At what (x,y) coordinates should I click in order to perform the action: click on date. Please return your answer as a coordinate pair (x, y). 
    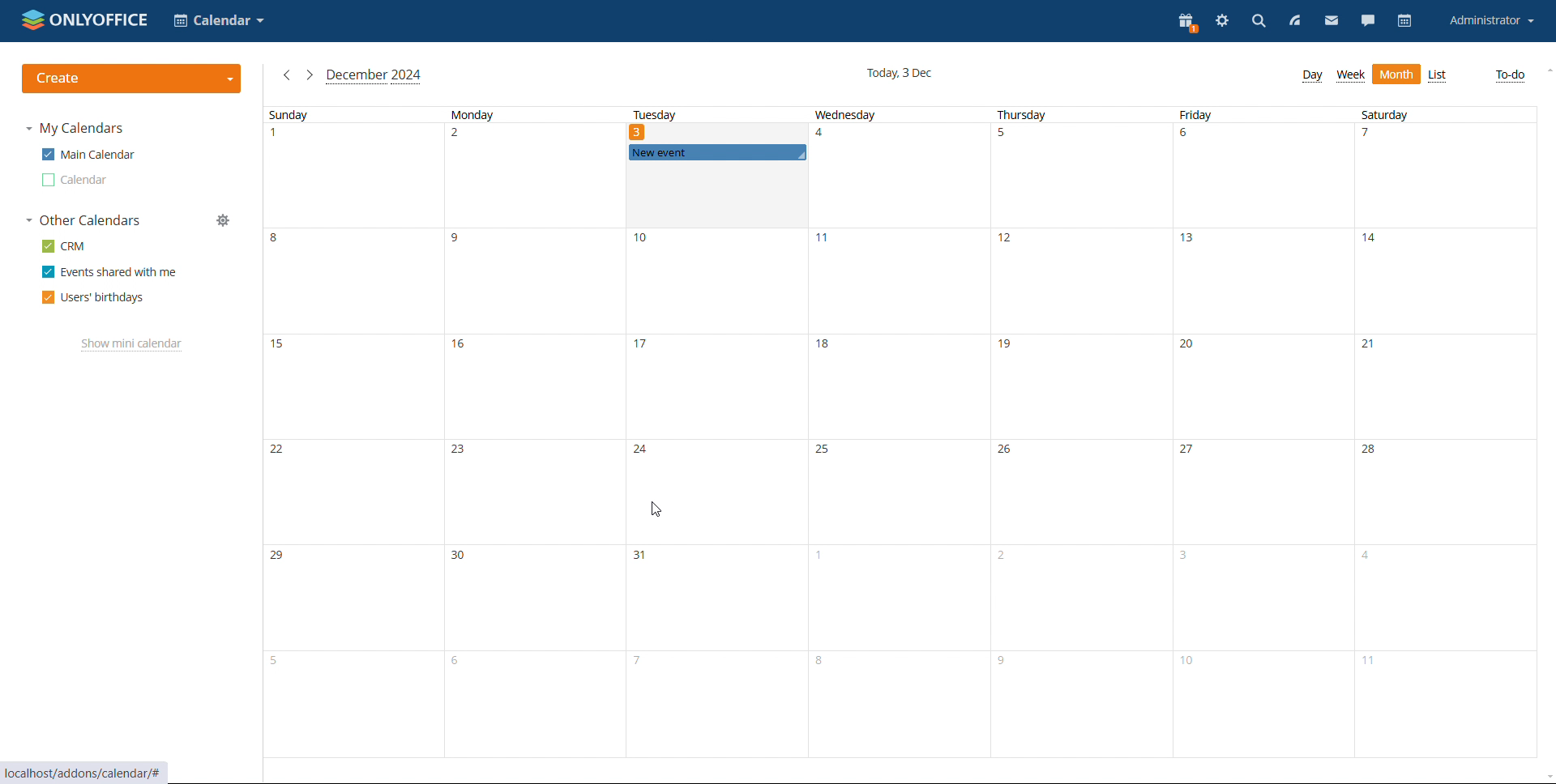
    Looking at the image, I should click on (713, 704).